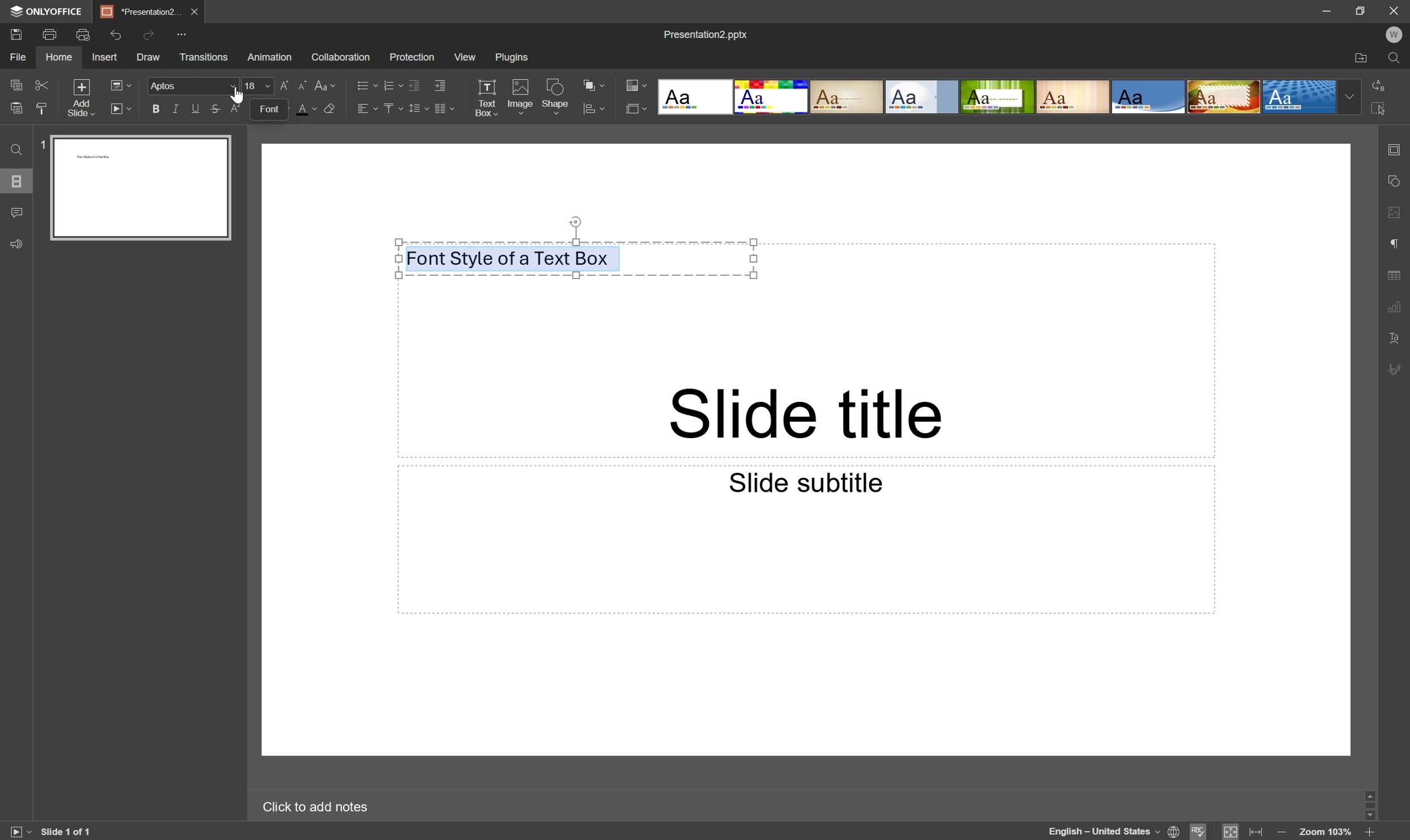  Describe the element at coordinates (509, 258) in the screenshot. I see `Font Style of a text box` at that location.